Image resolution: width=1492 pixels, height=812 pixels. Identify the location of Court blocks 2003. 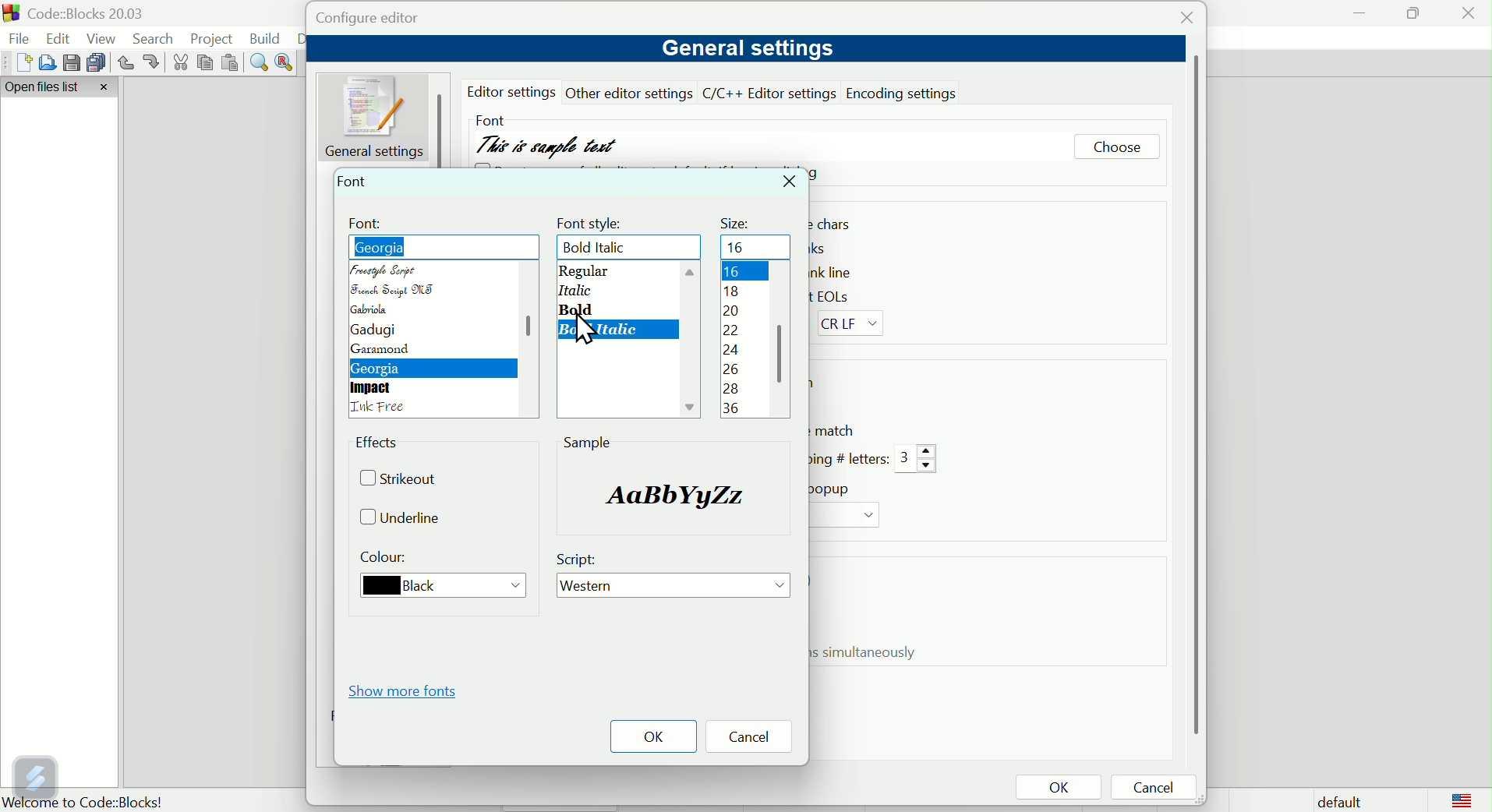
(98, 13).